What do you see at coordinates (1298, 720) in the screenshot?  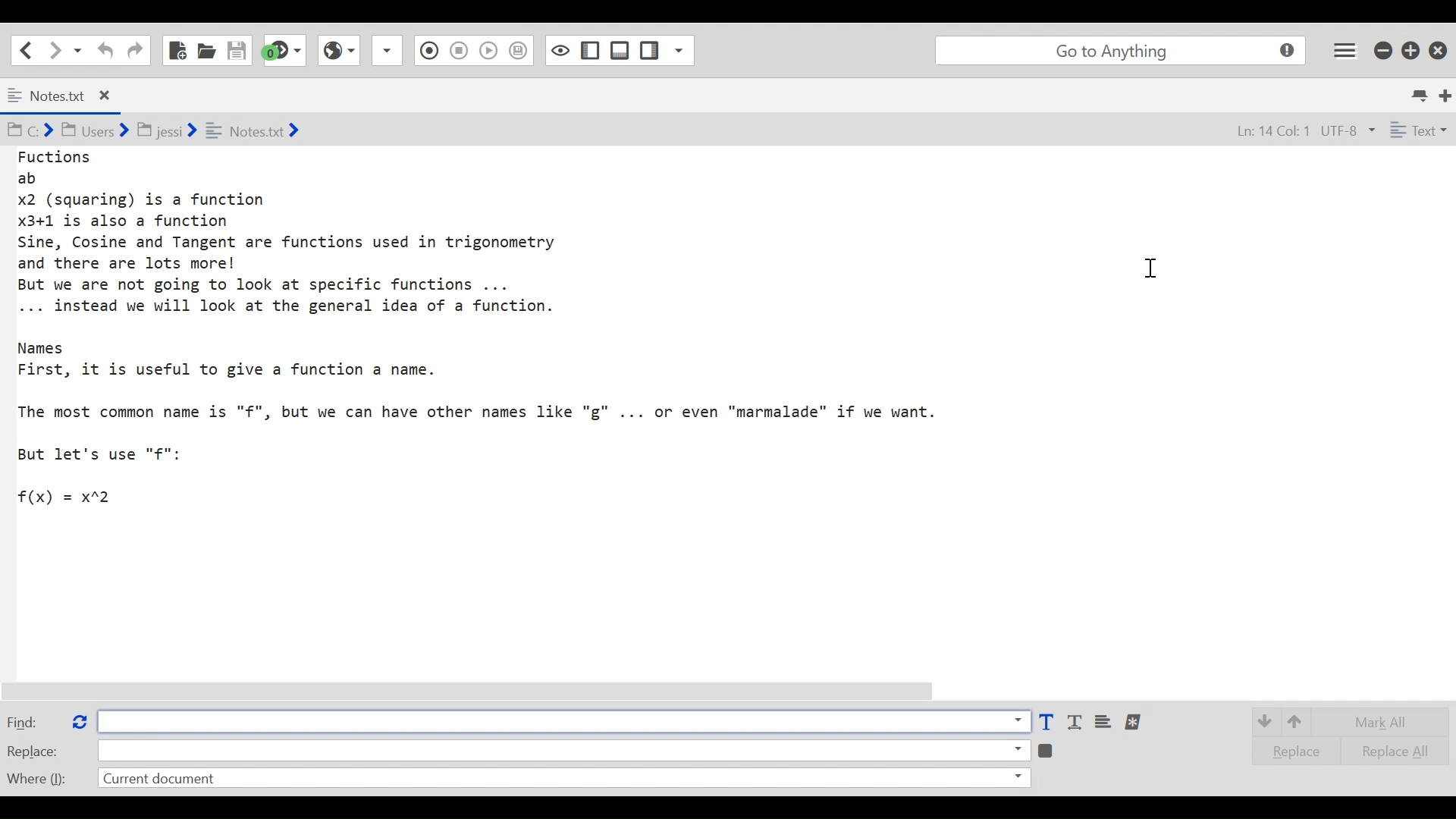 I see `Arrow up` at bounding box center [1298, 720].